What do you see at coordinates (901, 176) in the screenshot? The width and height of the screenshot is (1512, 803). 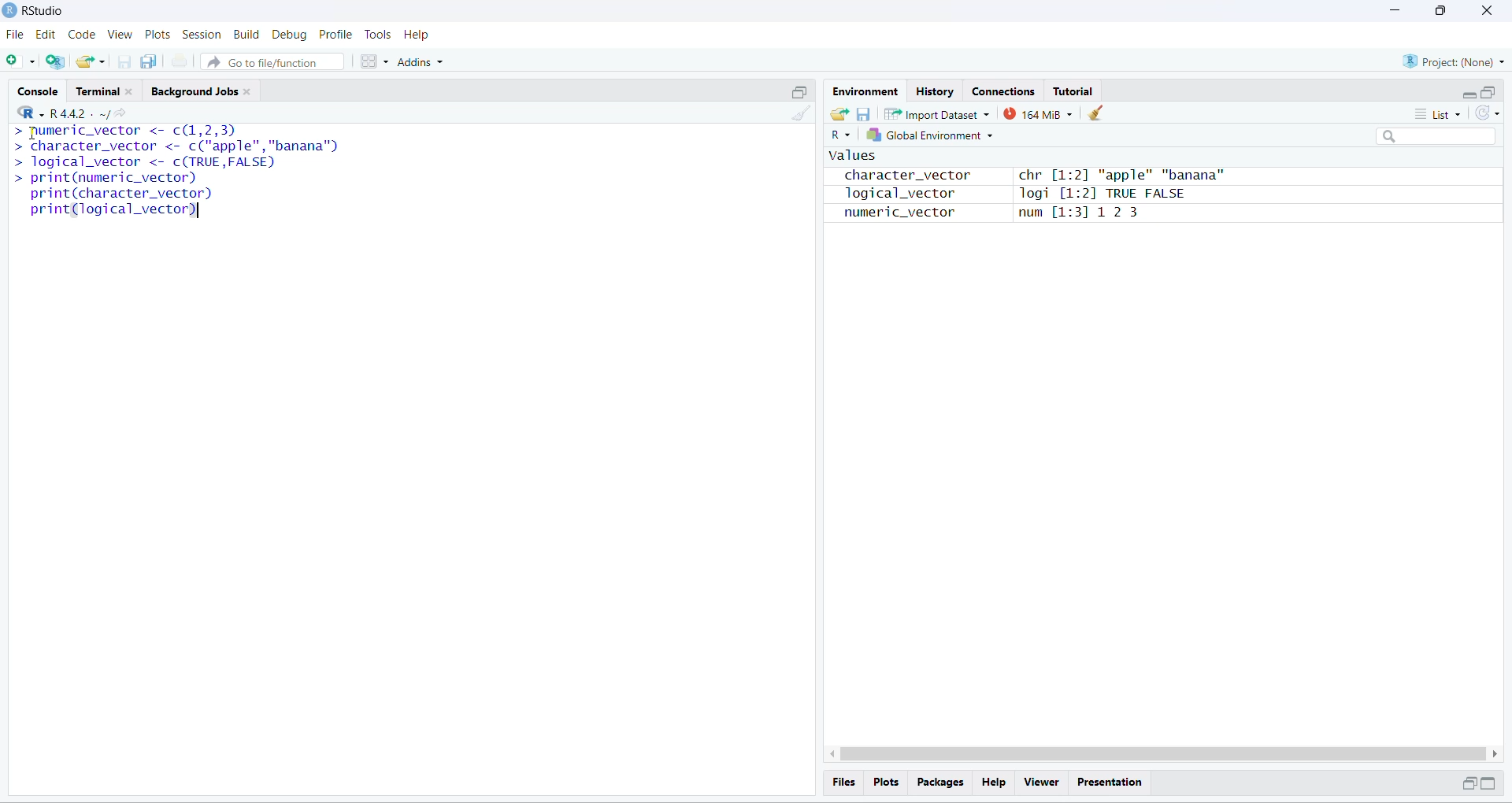 I see `character_vector` at bounding box center [901, 176].